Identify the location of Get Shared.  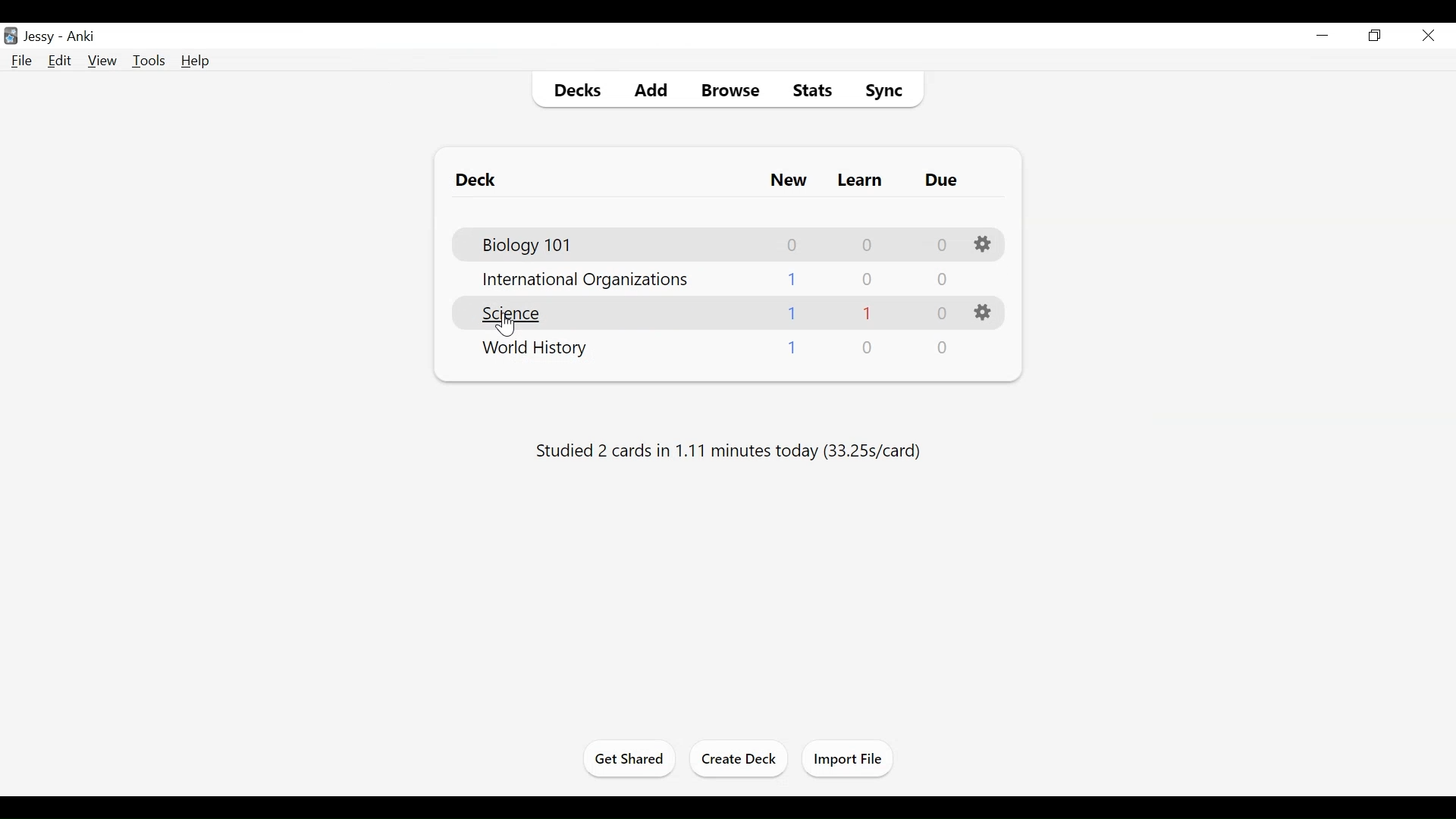
(630, 758).